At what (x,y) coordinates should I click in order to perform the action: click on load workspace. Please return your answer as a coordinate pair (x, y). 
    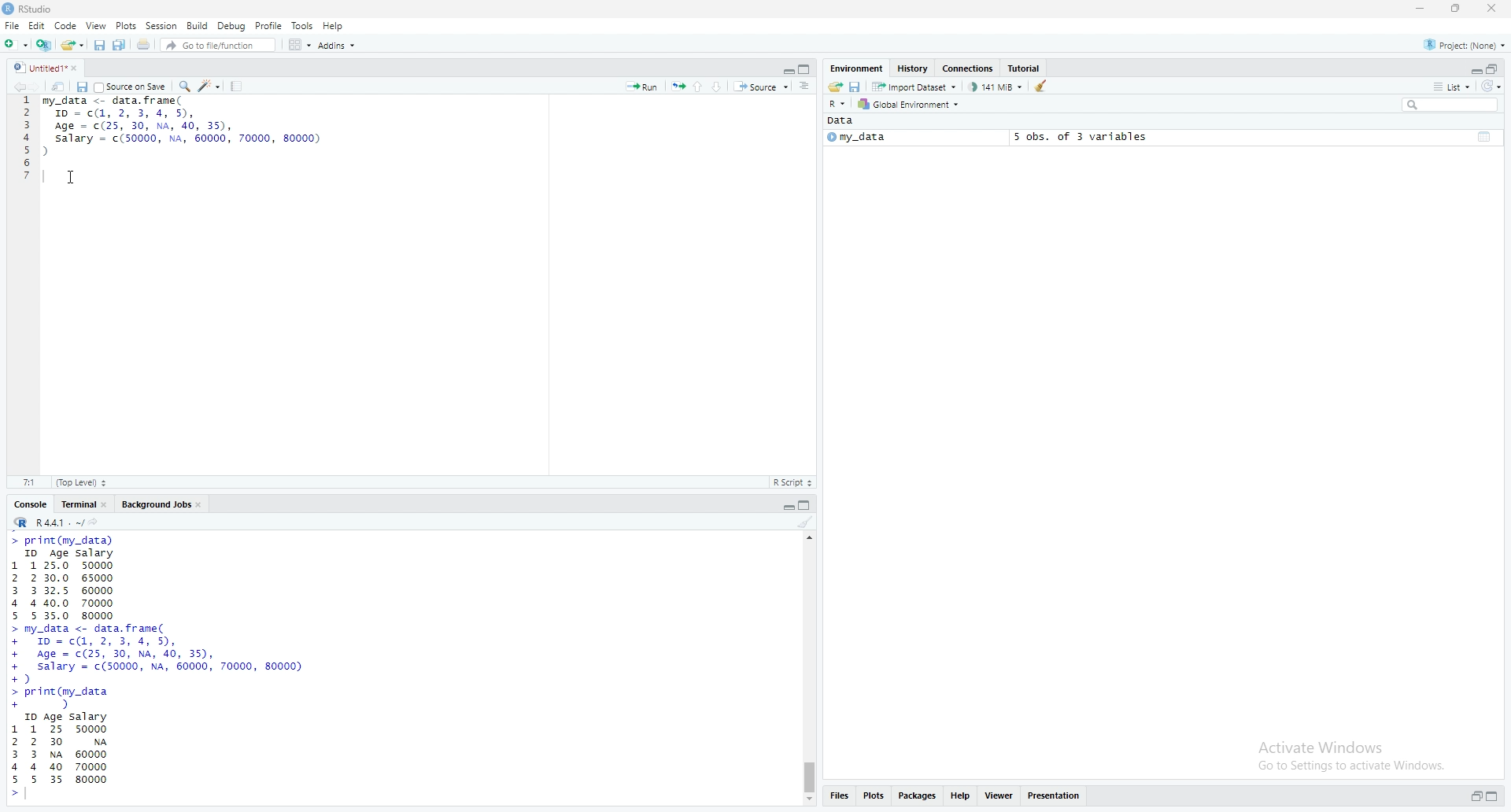
    Looking at the image, I should click on (834, 87).